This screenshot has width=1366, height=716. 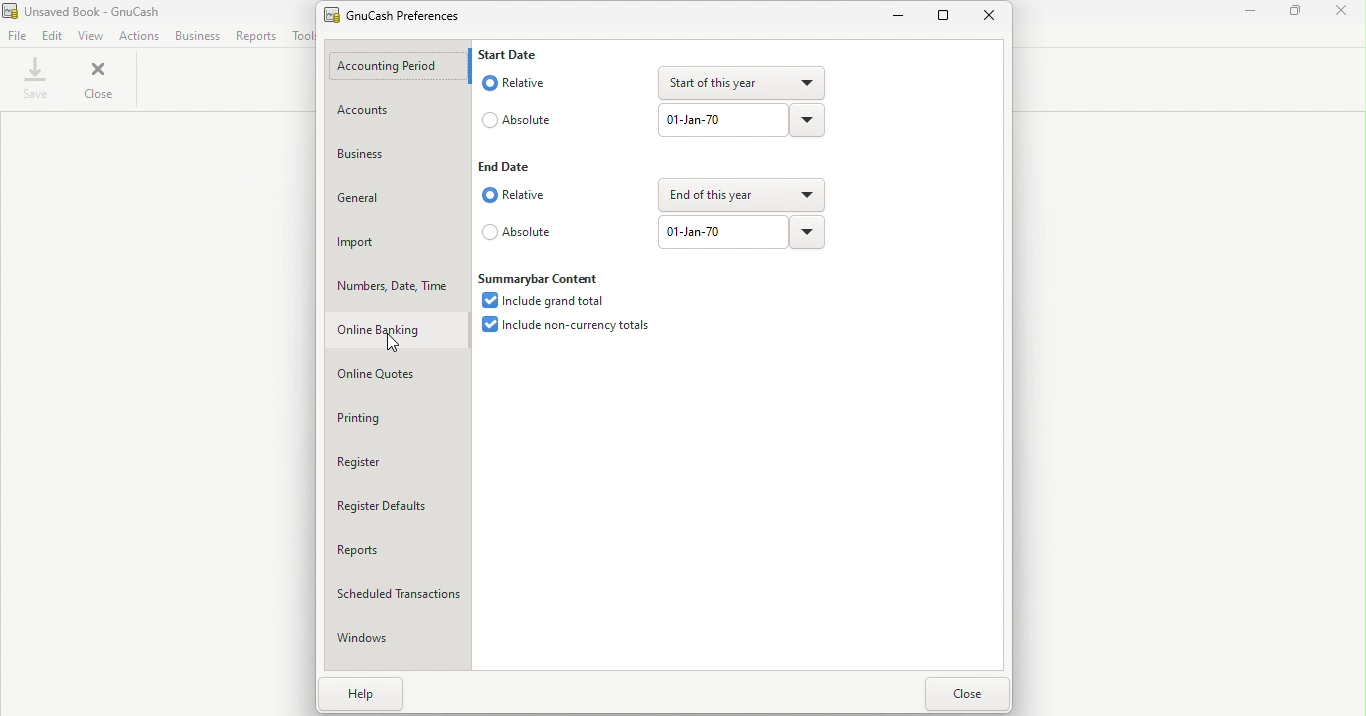 What do you see at coordinates (355, 696) in the screenshot?
I see `Help` at bounding box center [355, 696].